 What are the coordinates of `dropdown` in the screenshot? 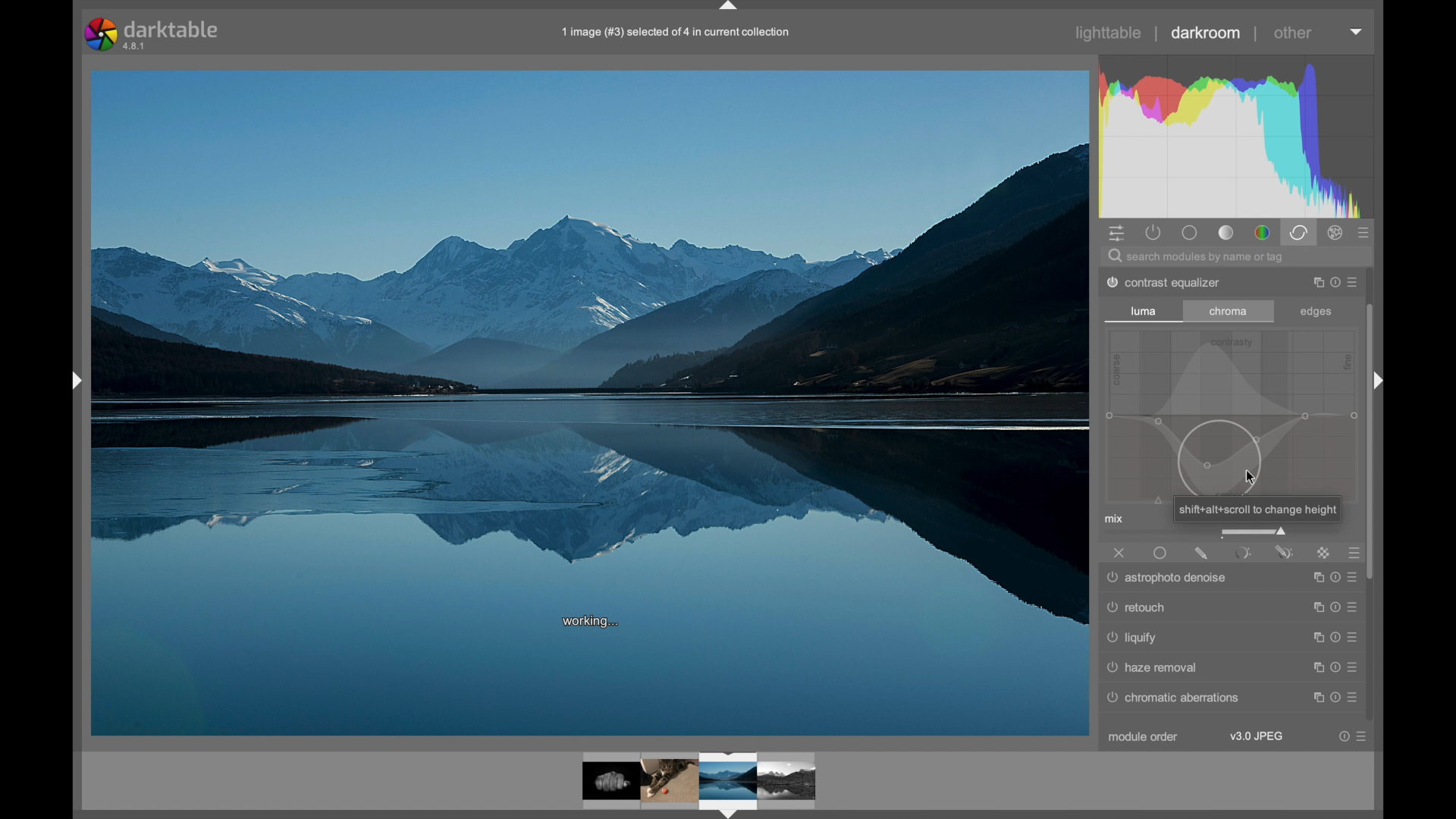 It's located at (1357, 32).